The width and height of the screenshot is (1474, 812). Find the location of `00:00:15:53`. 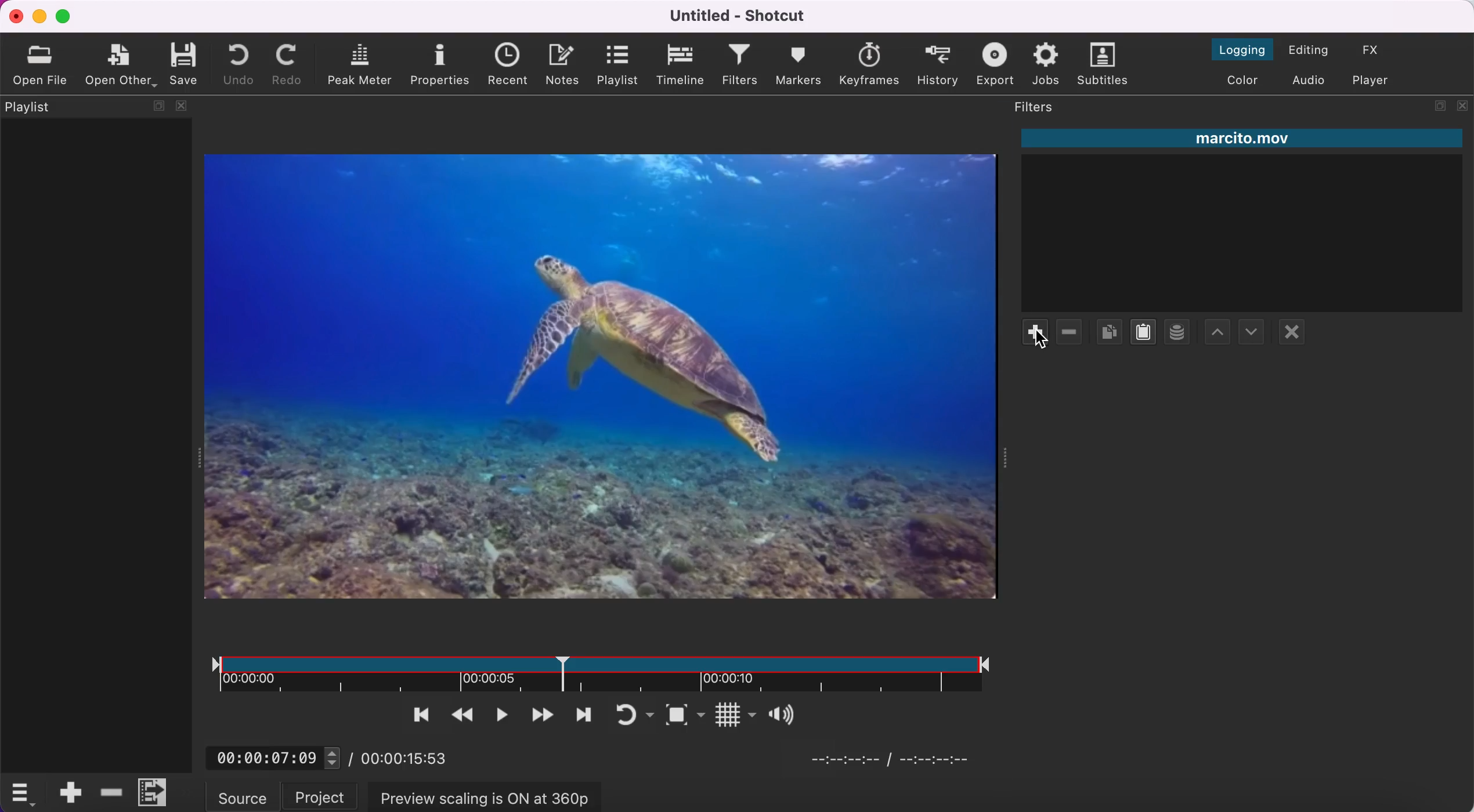

00:00:15:53 is located at coordinates (410, 756).